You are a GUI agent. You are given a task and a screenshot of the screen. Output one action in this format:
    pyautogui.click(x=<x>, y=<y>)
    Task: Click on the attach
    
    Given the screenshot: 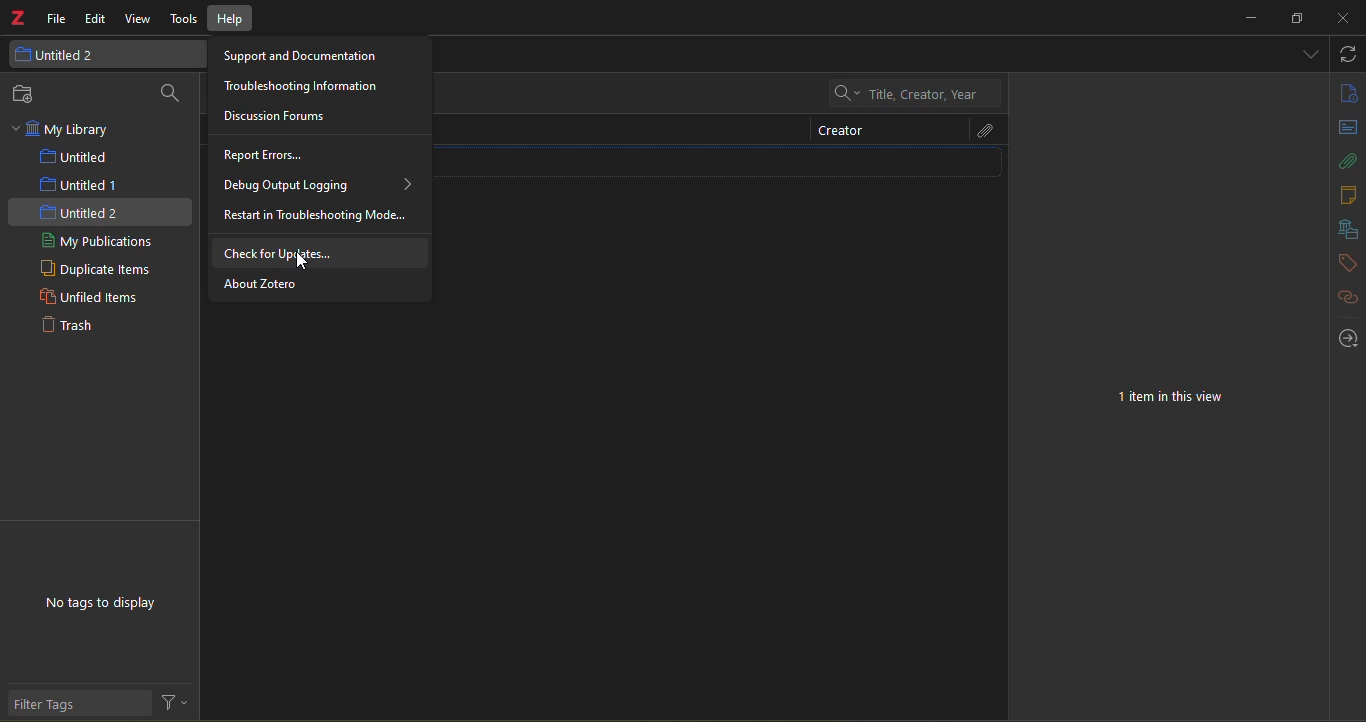 What is the action you would take?
    pyautogui.click(x=1347, y=163)
    